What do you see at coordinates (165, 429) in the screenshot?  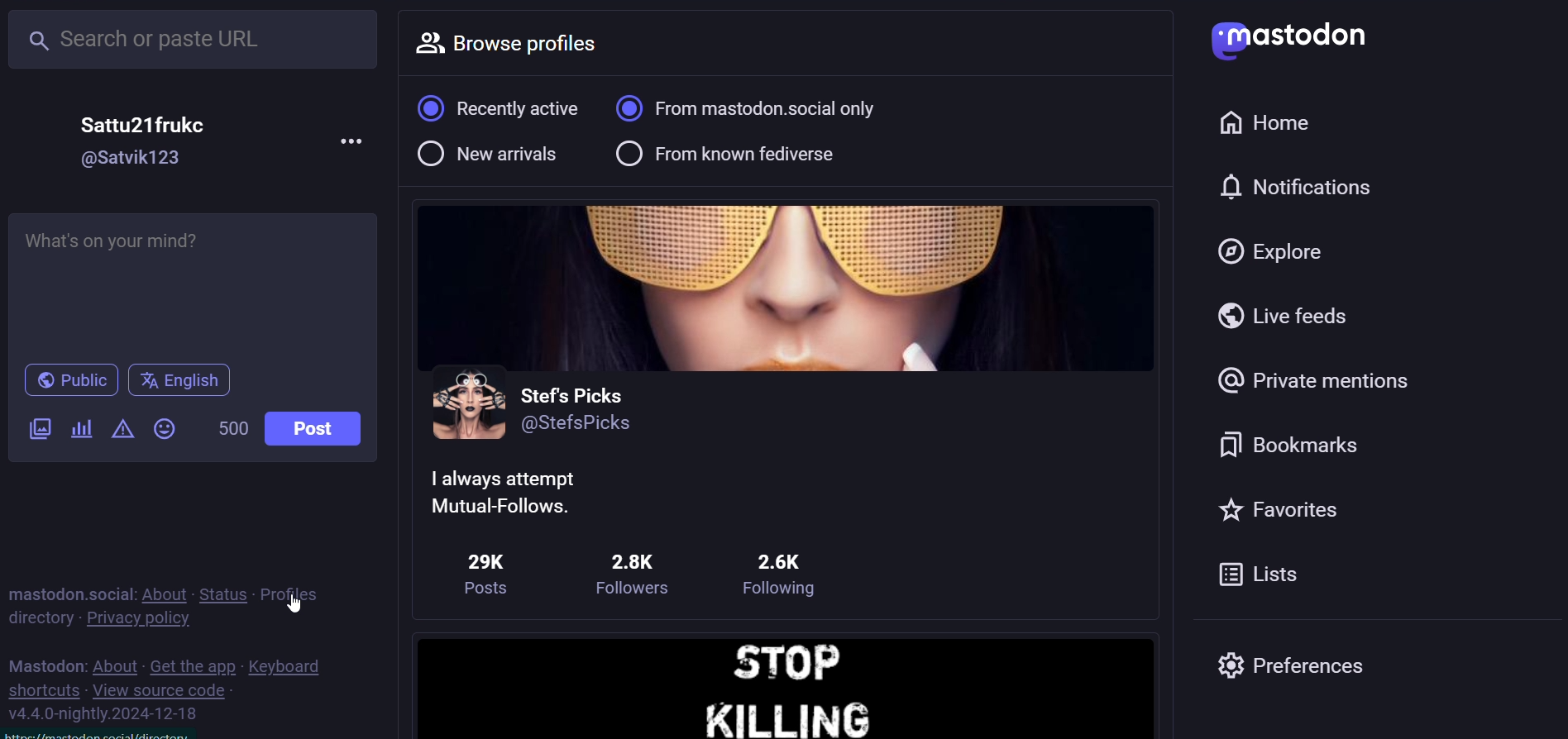 I see `emoji` at bounding box center [165, 429].